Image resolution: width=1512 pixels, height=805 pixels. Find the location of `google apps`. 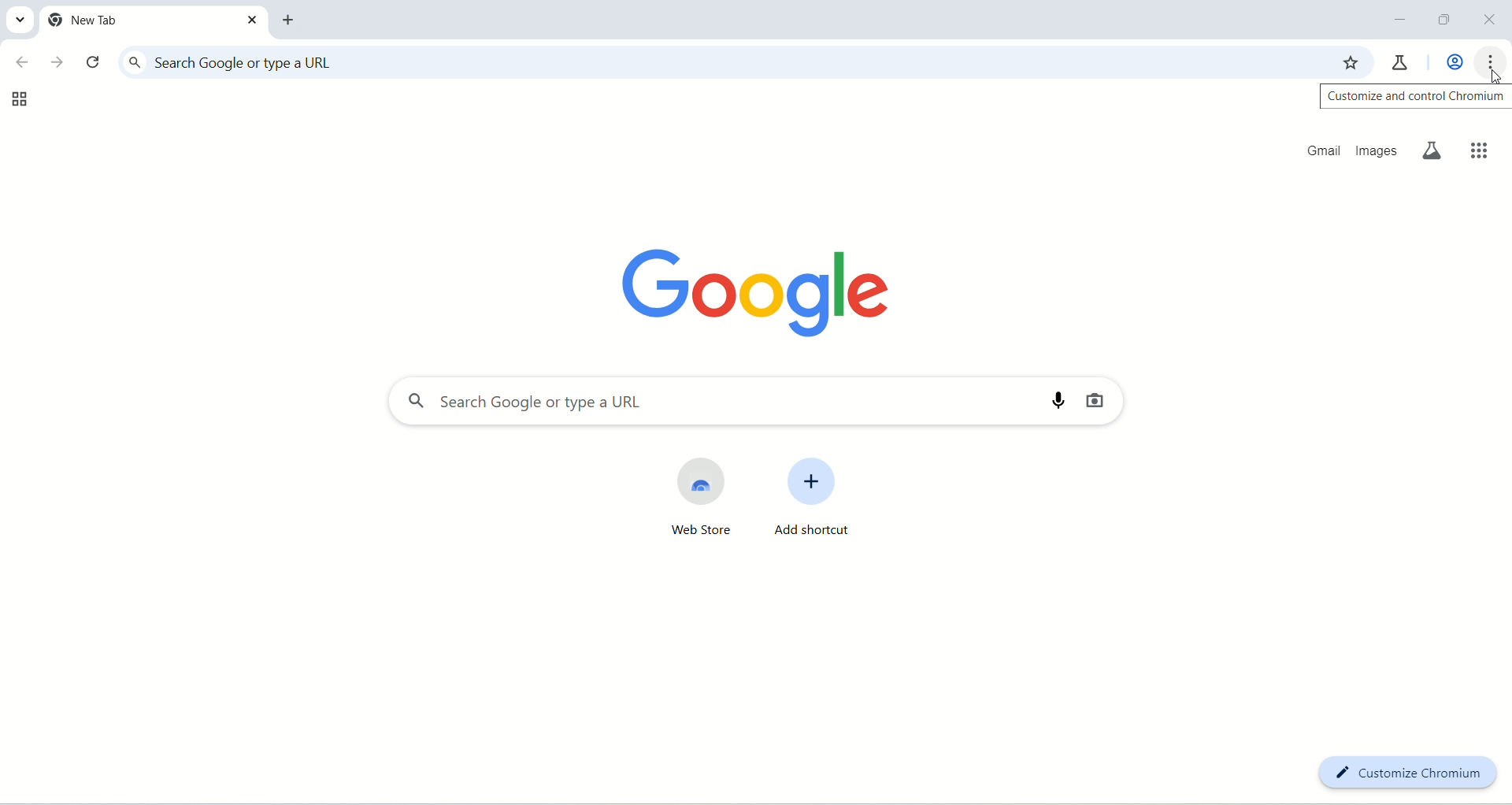

google apps is located at coordinates (1476, 145).